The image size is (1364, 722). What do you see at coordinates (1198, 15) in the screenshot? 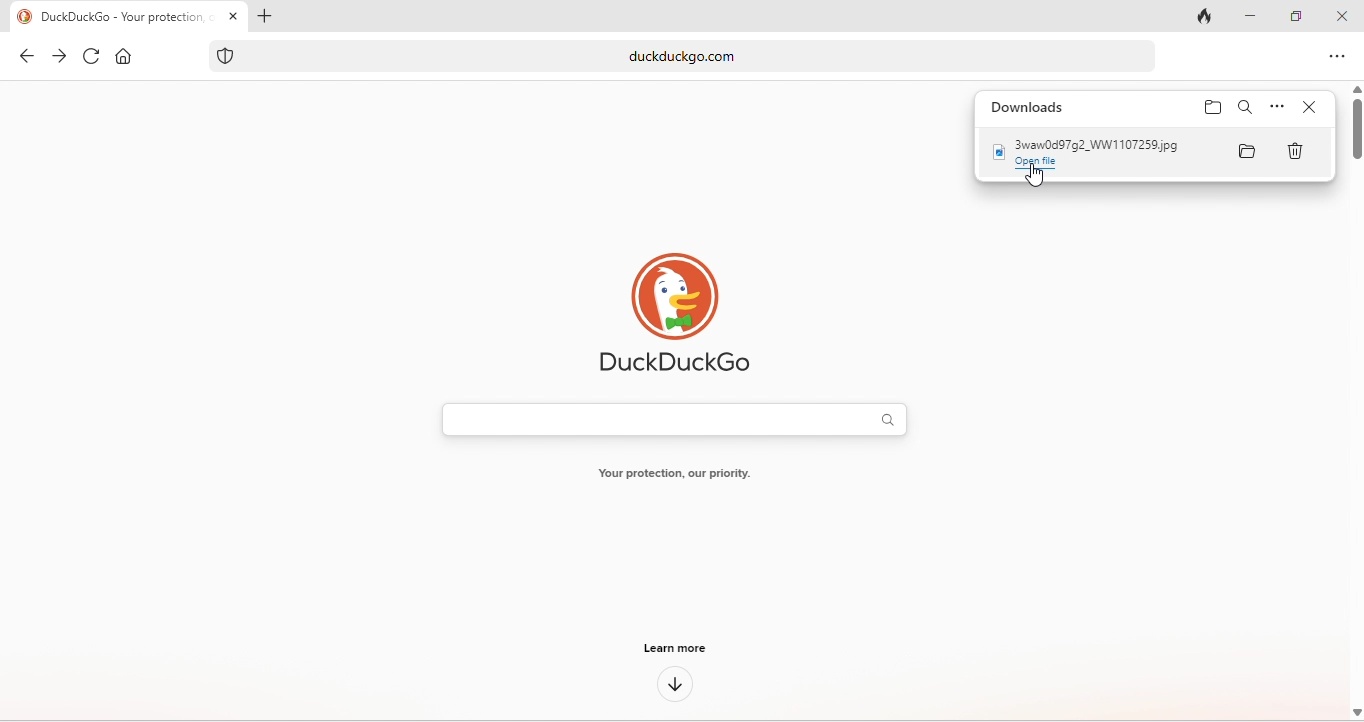
I see `track tab` at bounding box center [1198, 15].